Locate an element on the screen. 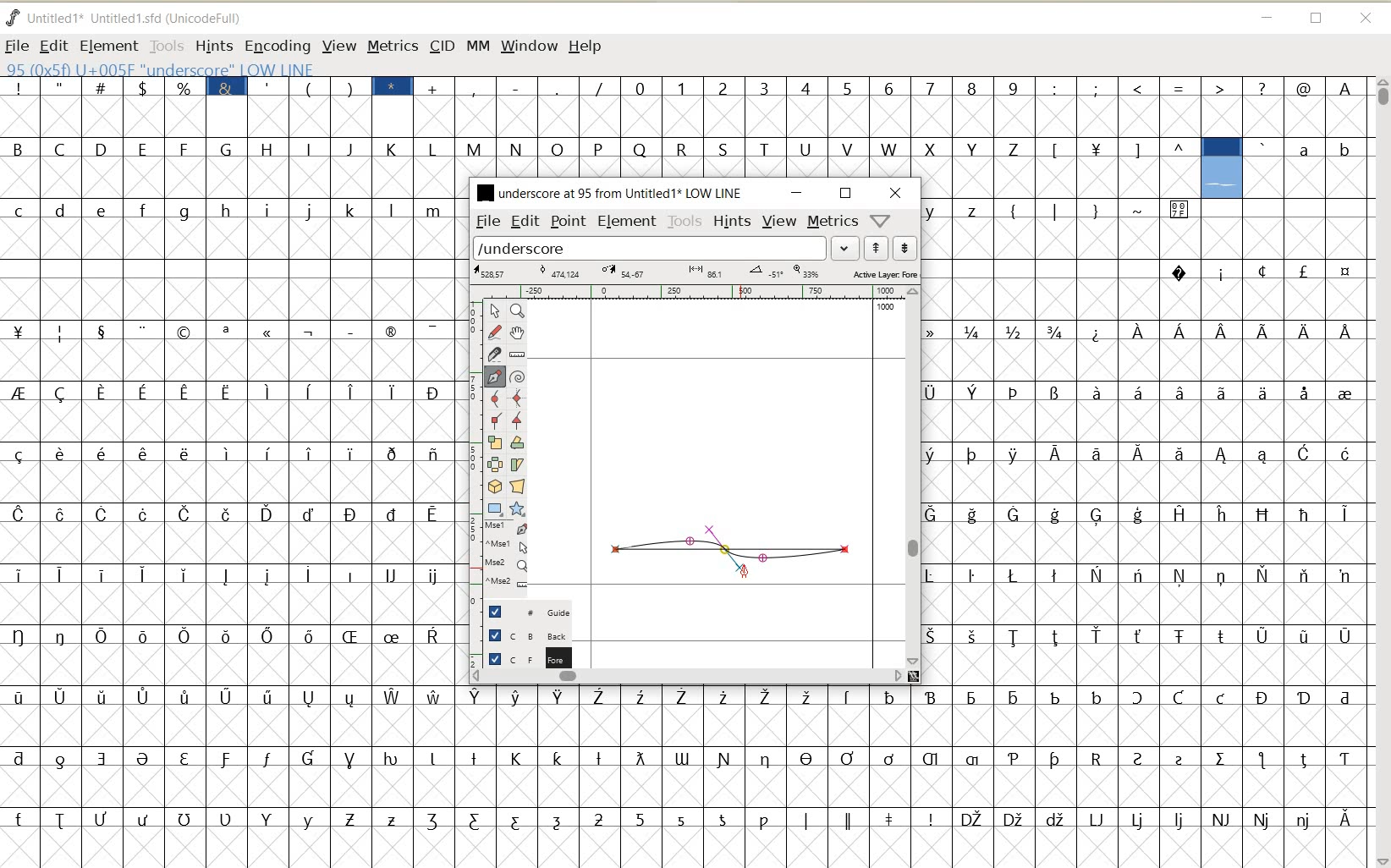 The image size is (1391, 868). SCROLLBAR is located at coordinates (687, 675).